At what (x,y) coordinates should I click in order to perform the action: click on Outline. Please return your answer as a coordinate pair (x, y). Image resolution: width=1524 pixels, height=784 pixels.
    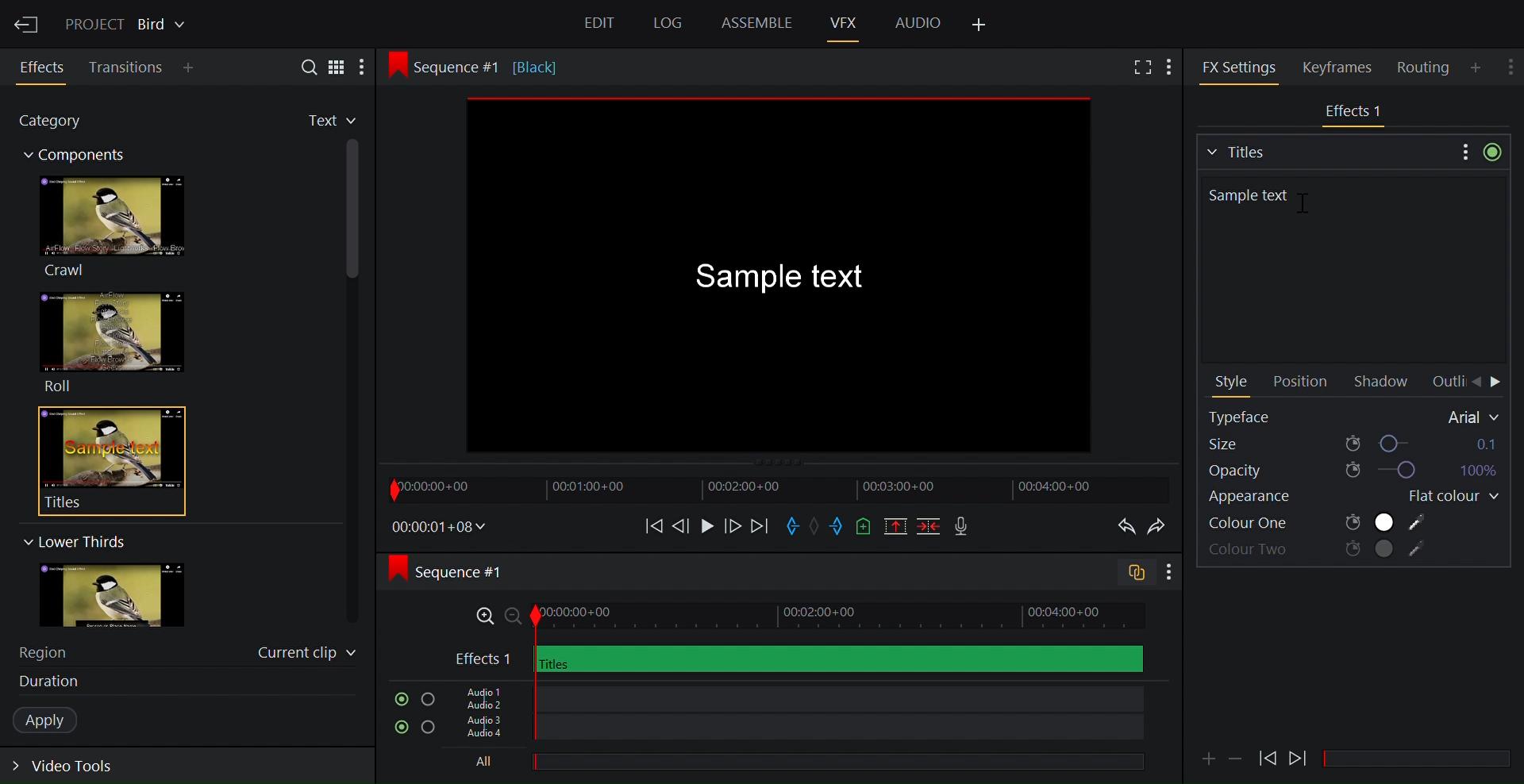
    Looking at the image, I should click on (1446, 382).